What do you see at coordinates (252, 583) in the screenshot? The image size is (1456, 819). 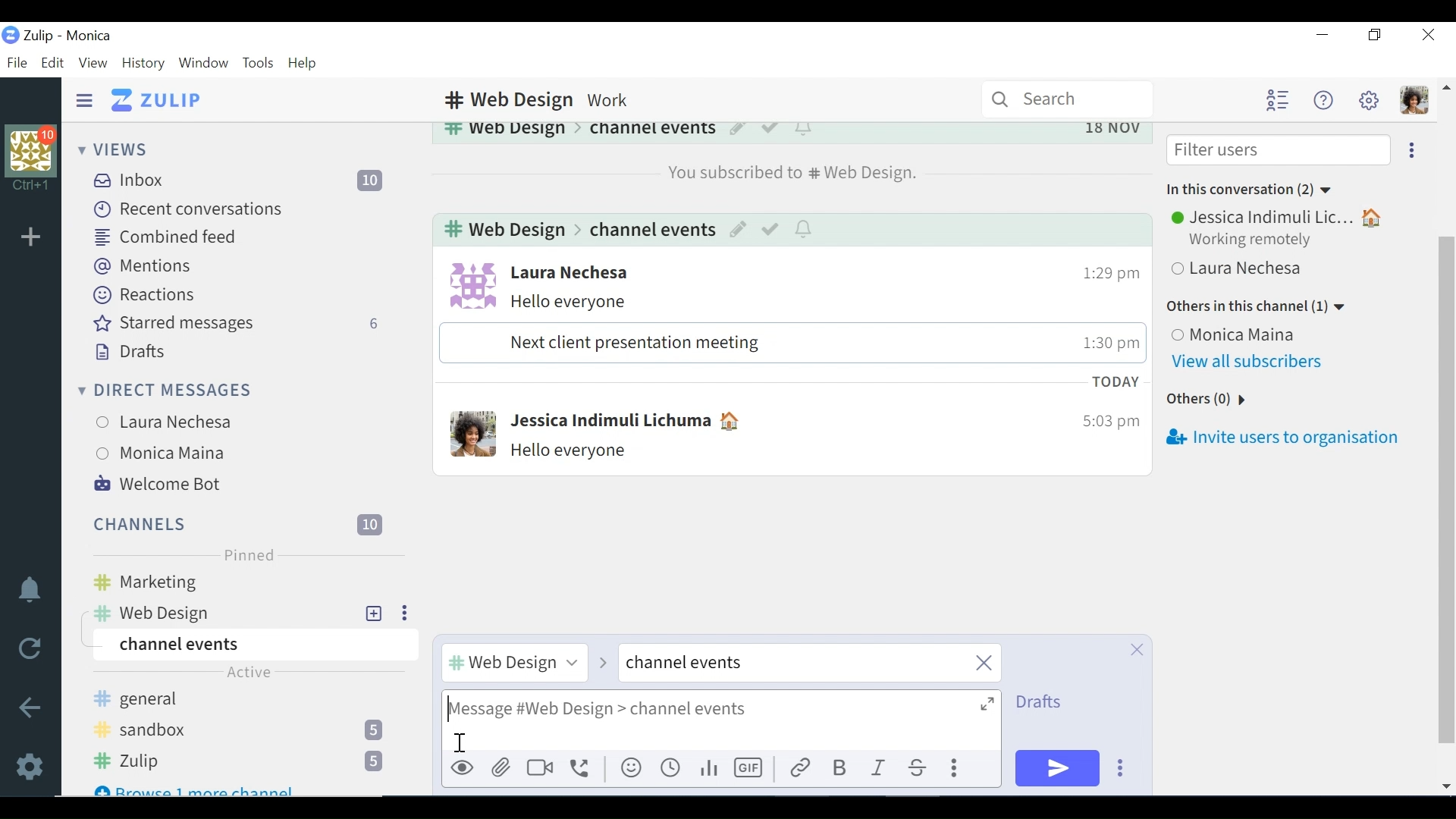 I see `marketing Channel` at bounding box center [252, 583].